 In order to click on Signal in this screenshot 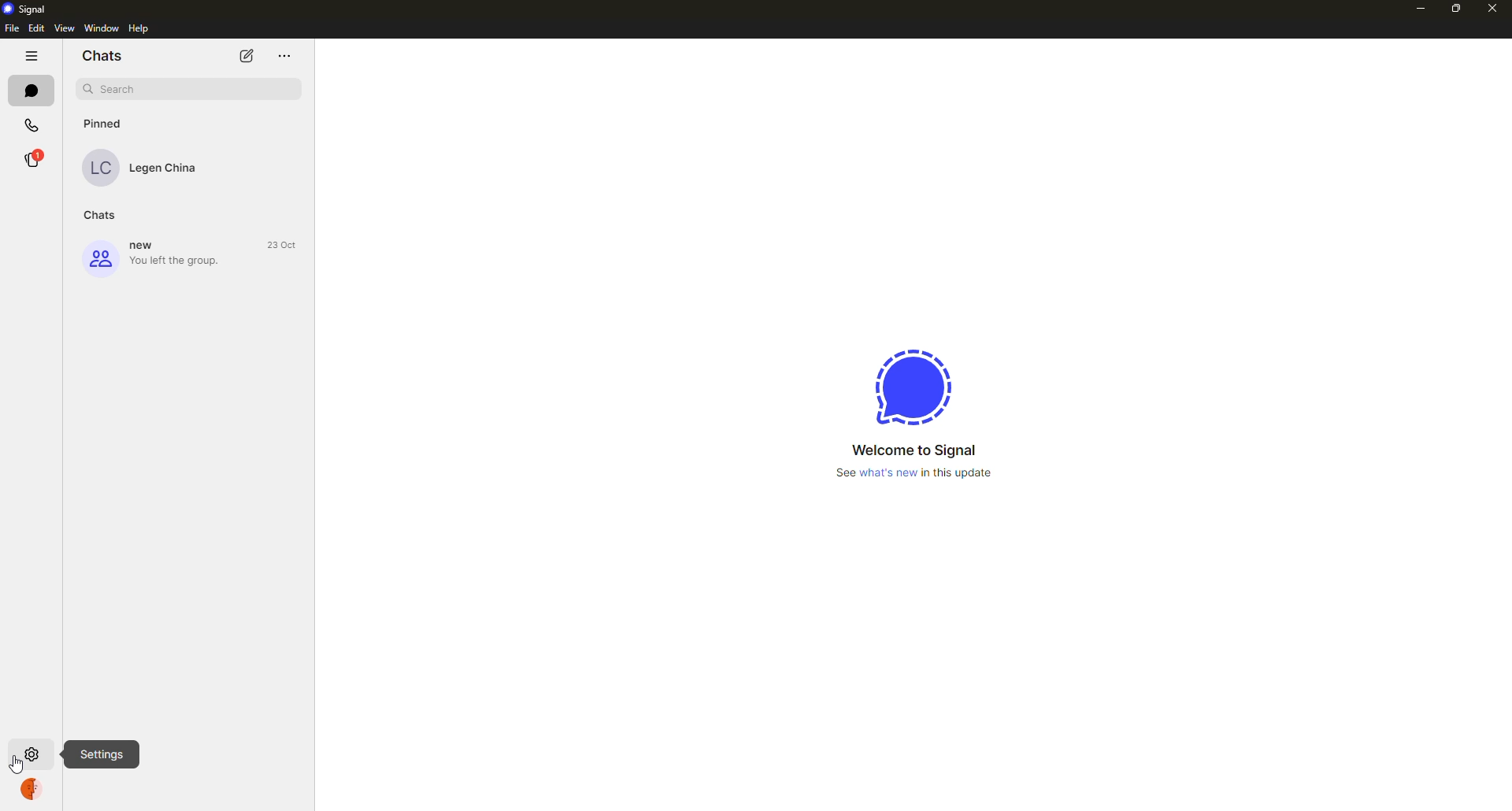, I will do `click(27, 9)`.